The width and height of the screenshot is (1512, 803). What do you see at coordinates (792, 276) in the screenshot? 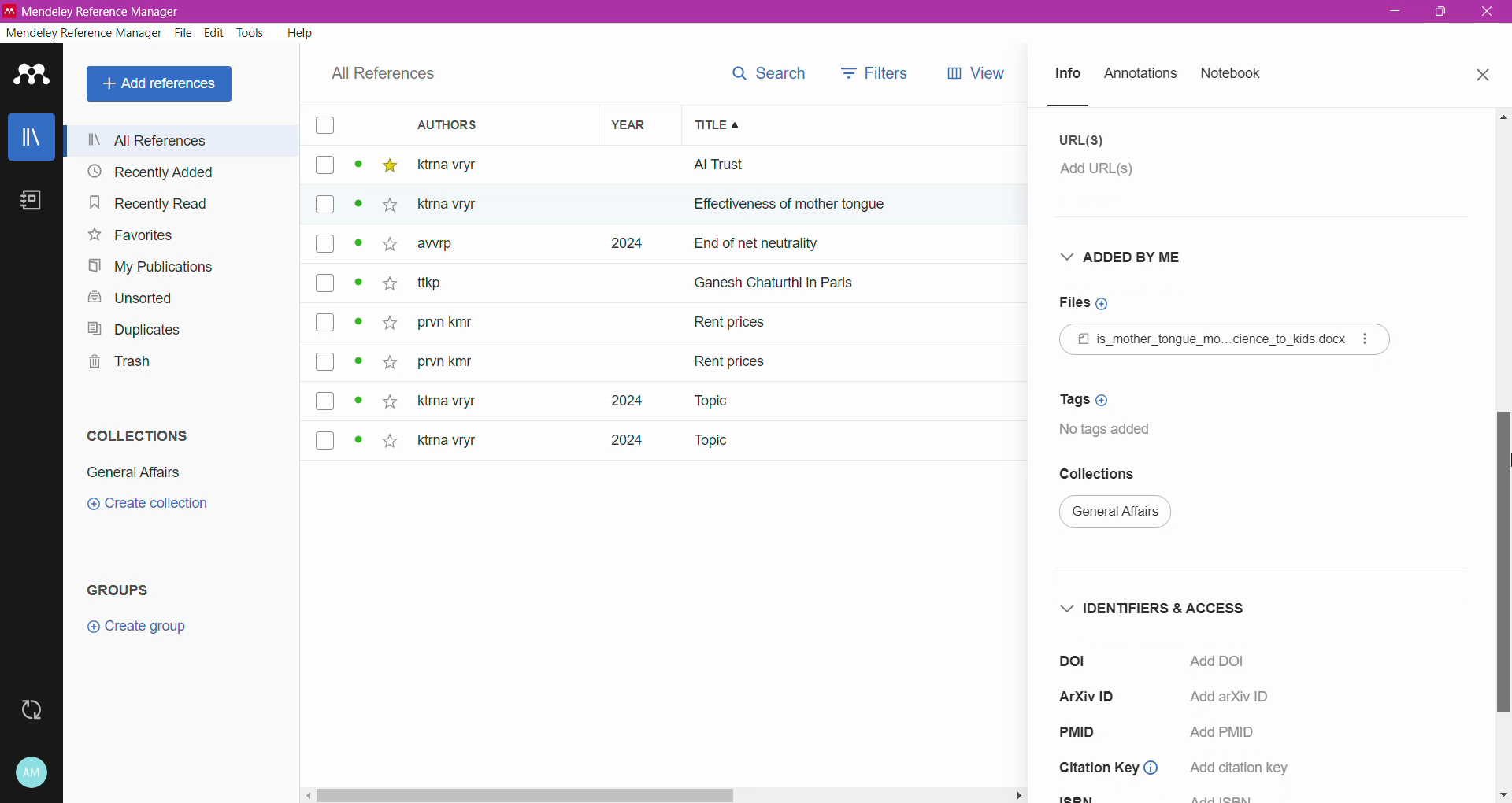
I see `ganesh chaturthi in paris ` at bounding box center [792, 276].